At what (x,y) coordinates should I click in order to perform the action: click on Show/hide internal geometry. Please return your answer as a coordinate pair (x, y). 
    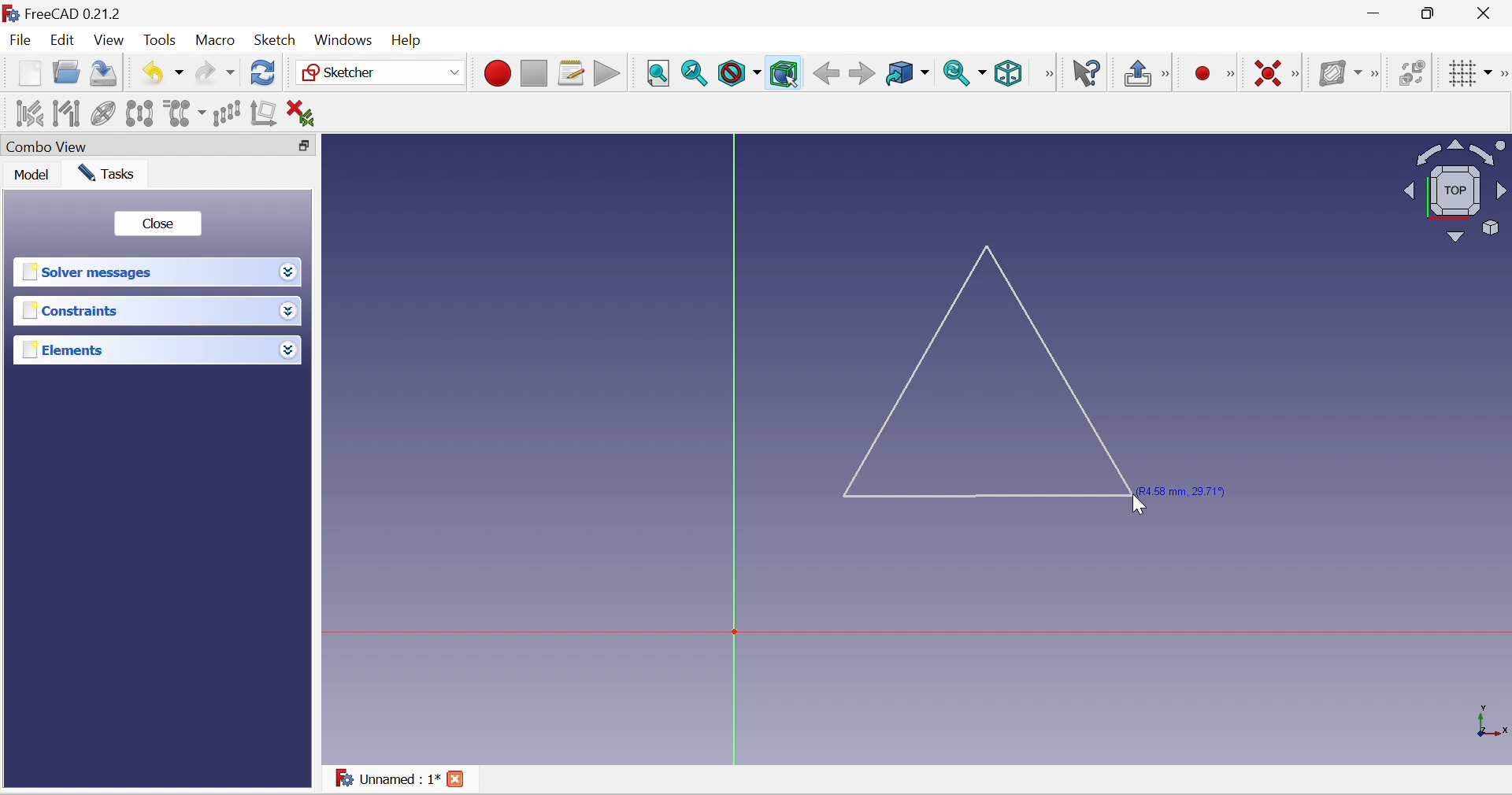
    Looking at the image, I should click on (105, 112).